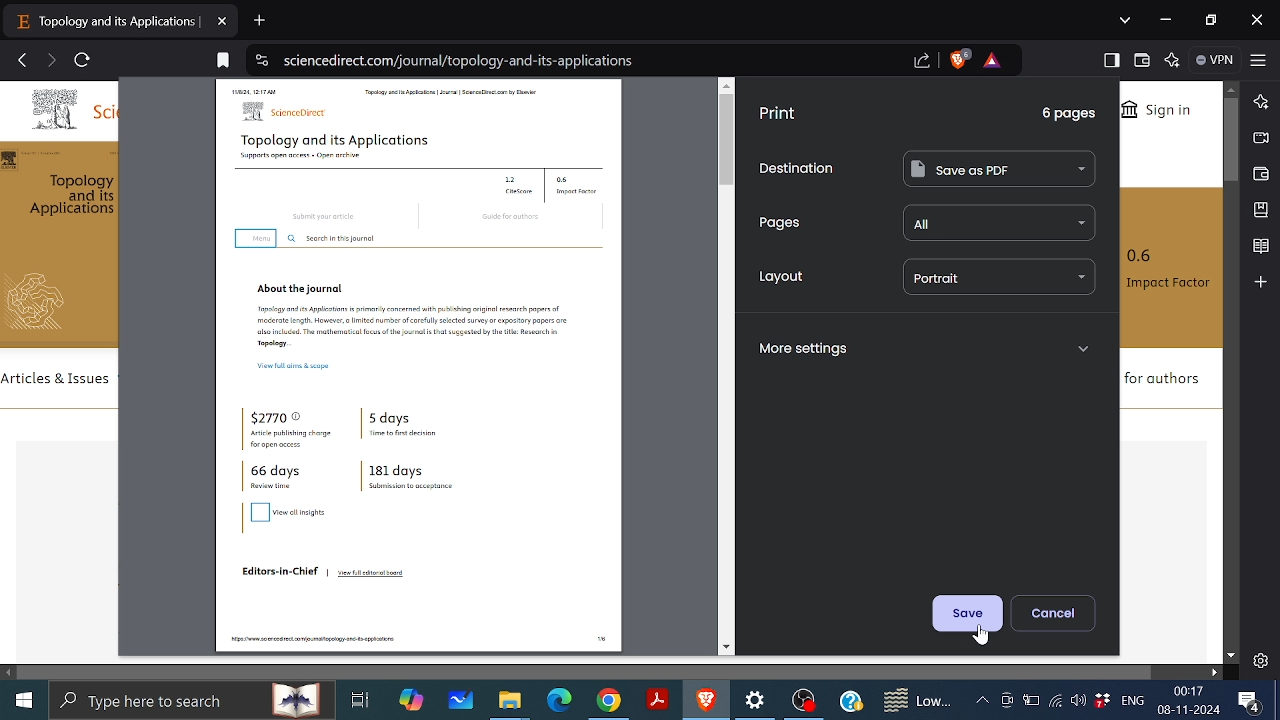  What do you see at coordinates (56, 383) in the screenshot?
I see `articles & issues` at bounding box center [56, 383].